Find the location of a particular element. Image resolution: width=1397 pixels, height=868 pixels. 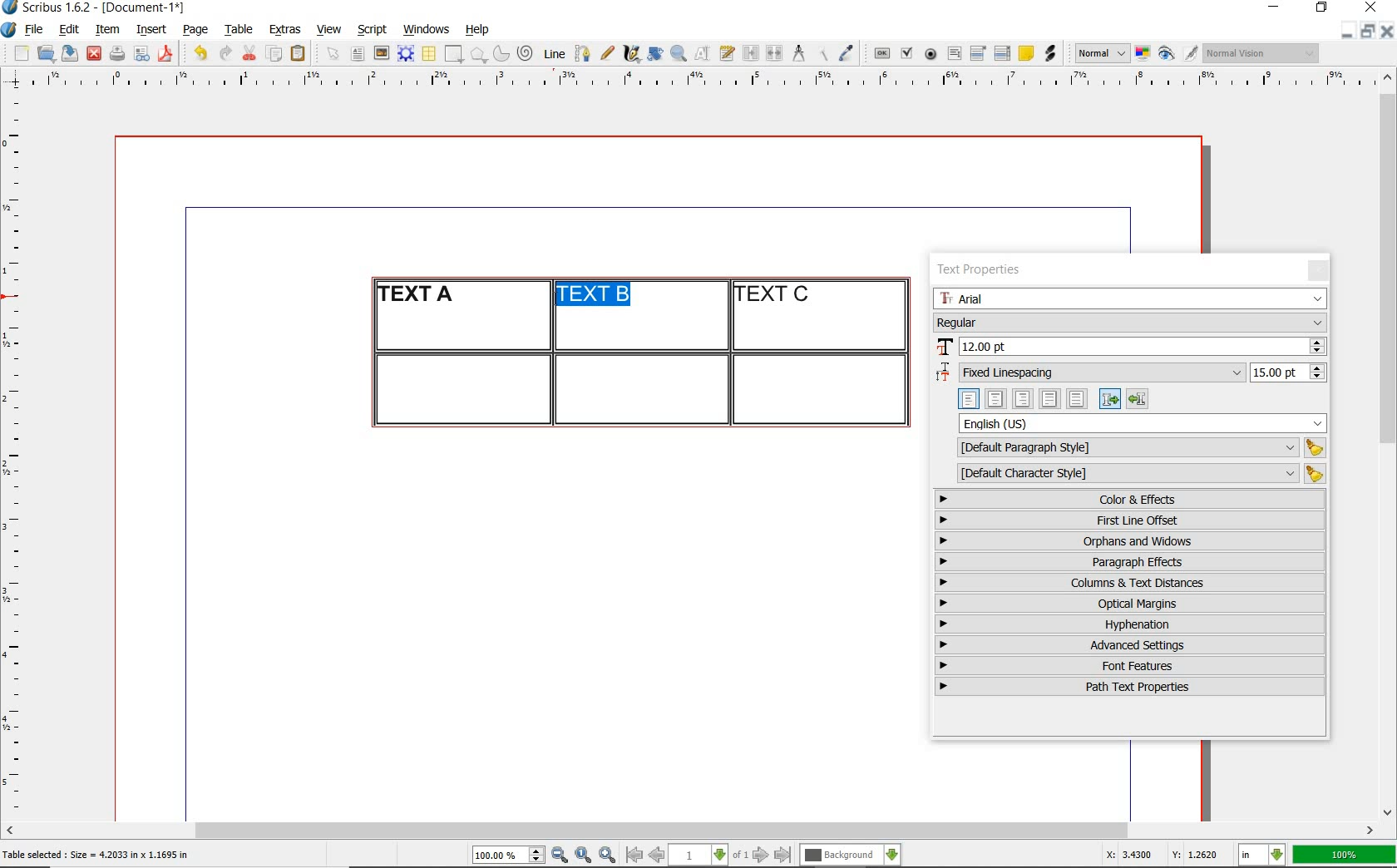

optical margins is located at coordinates (1131, 604).